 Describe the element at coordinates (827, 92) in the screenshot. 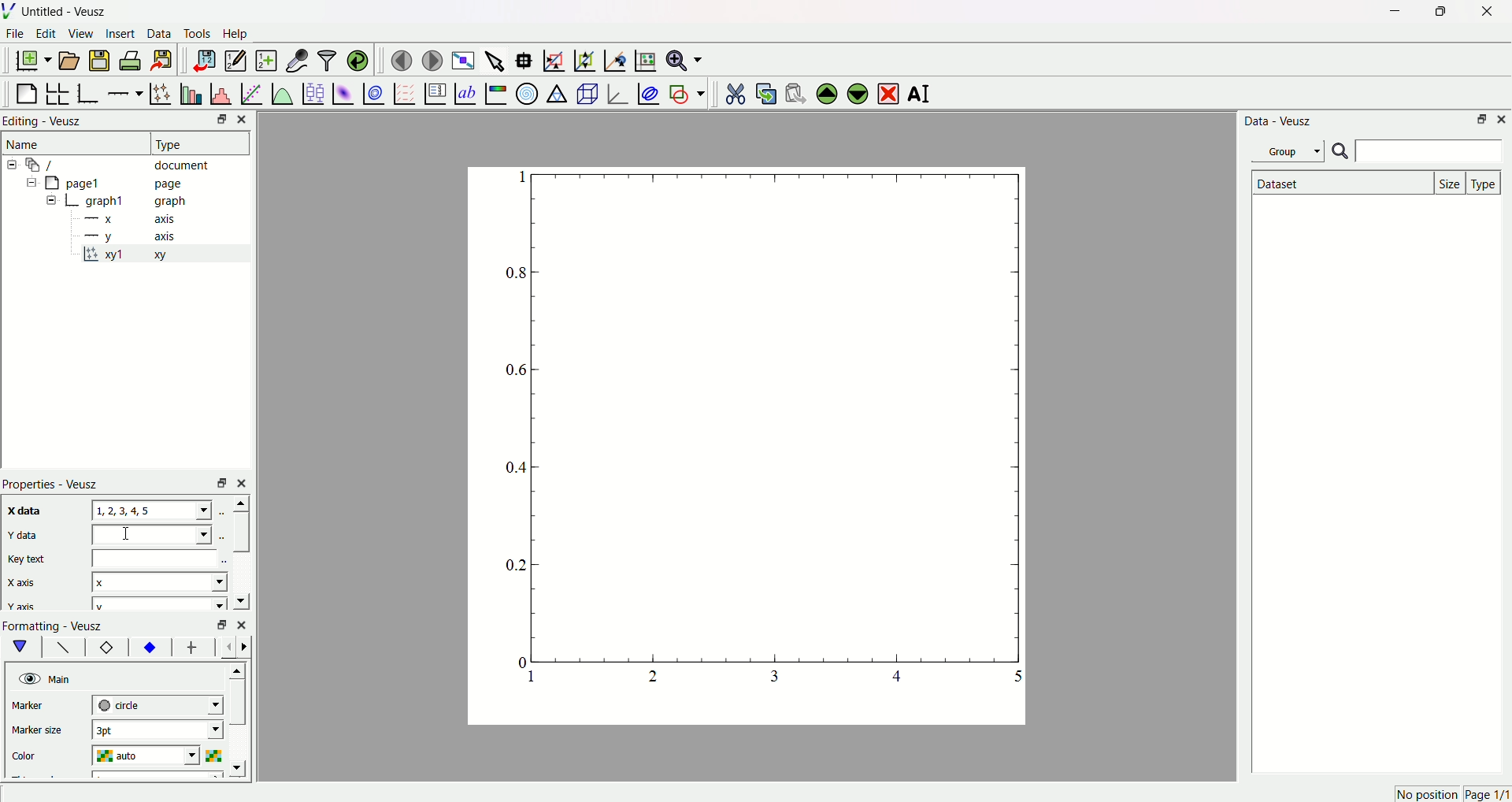

I see `move the widgets up` at that location.